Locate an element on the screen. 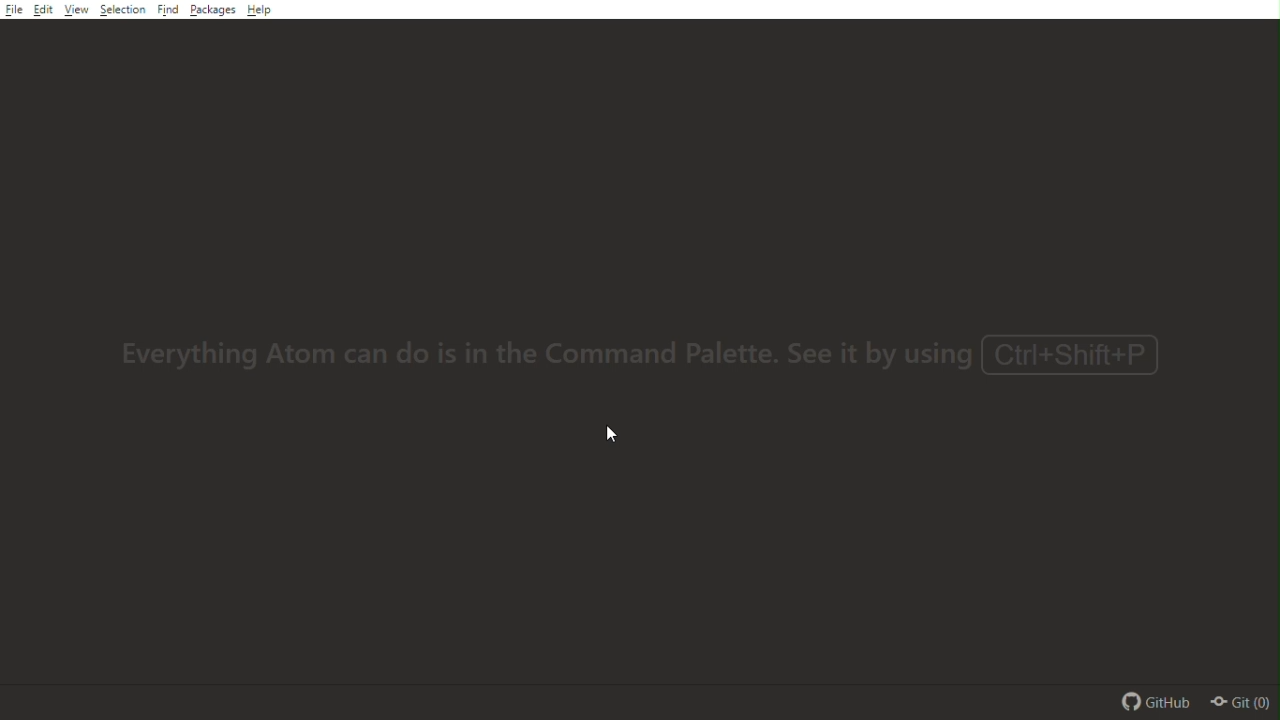 The image size is (1280, 720). View is located at coordinates (77, 13).